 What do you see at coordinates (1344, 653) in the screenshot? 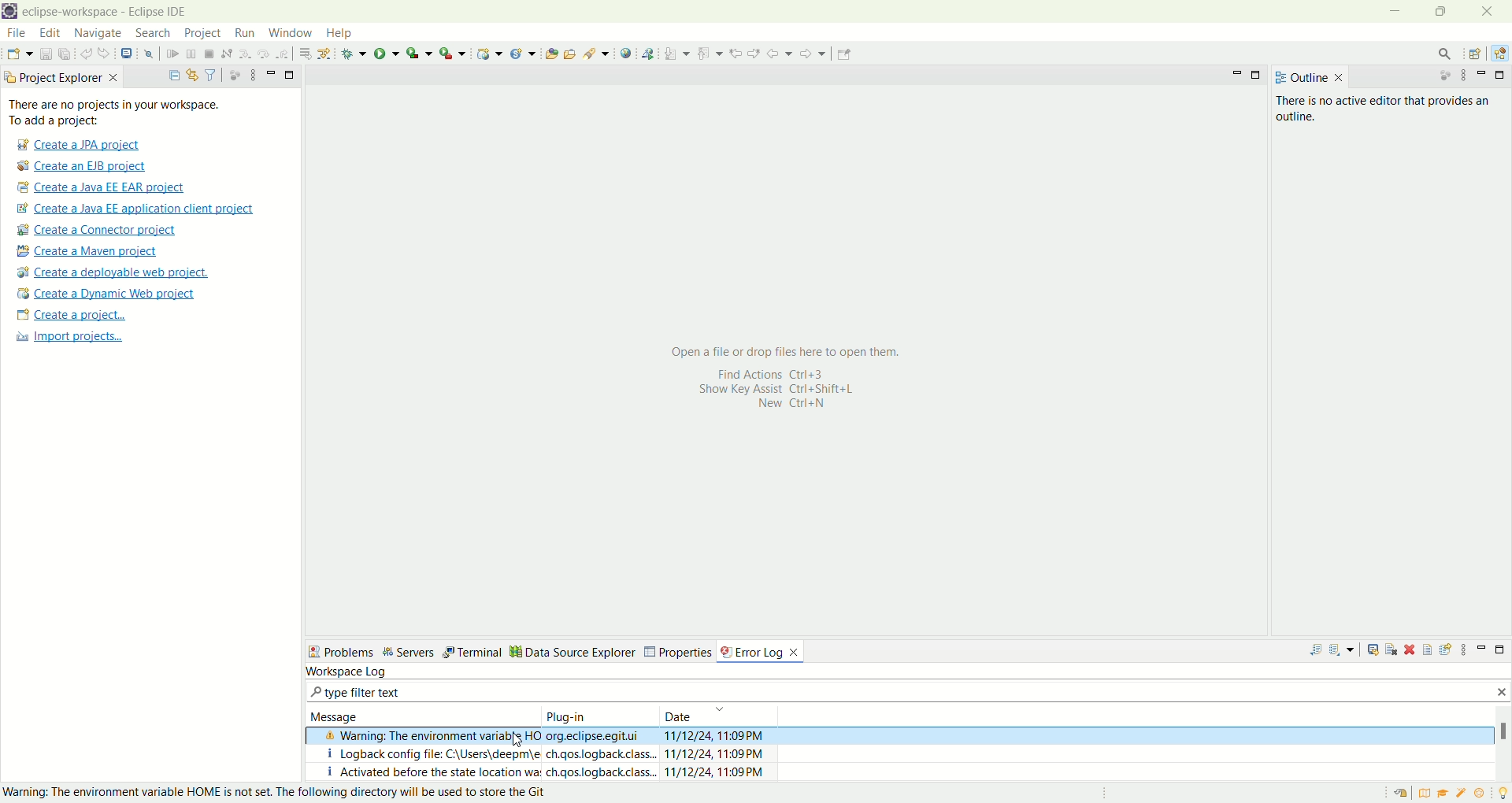
I see `import log` at bounding box center [1344, 653].